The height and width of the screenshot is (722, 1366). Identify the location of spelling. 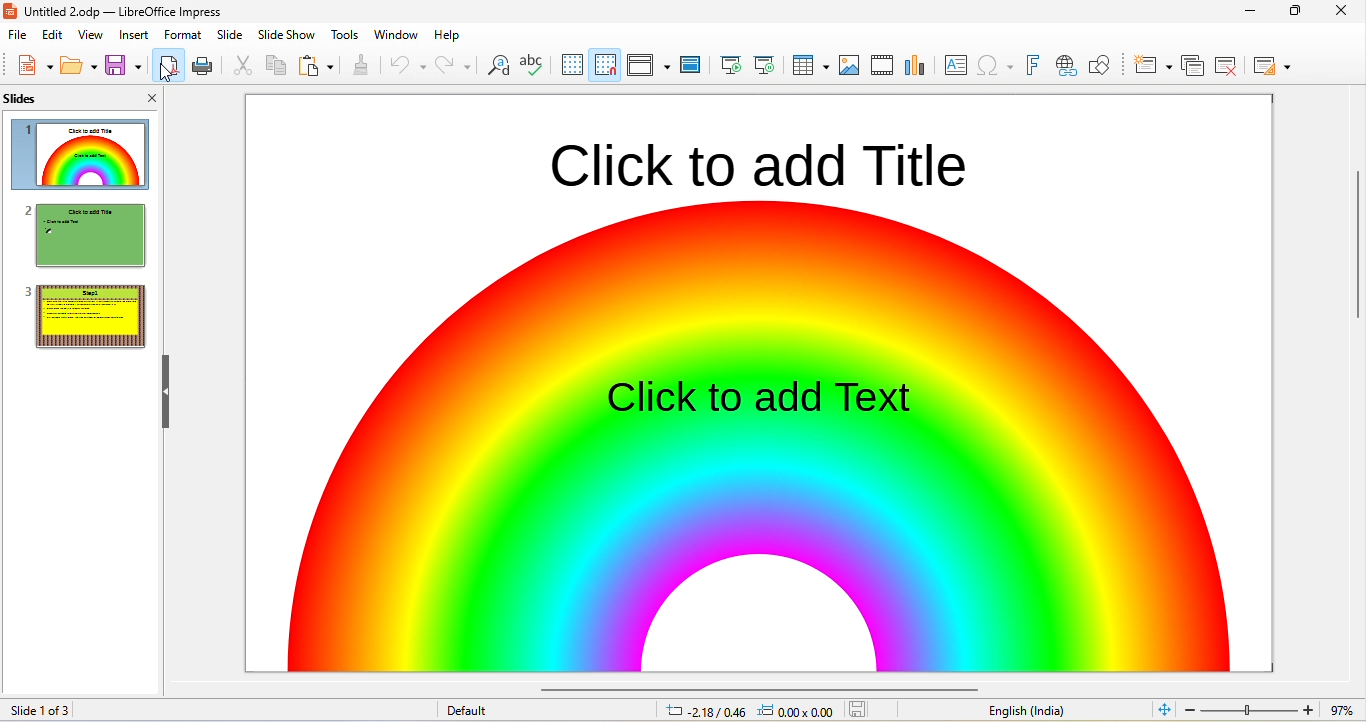
(532, 64).